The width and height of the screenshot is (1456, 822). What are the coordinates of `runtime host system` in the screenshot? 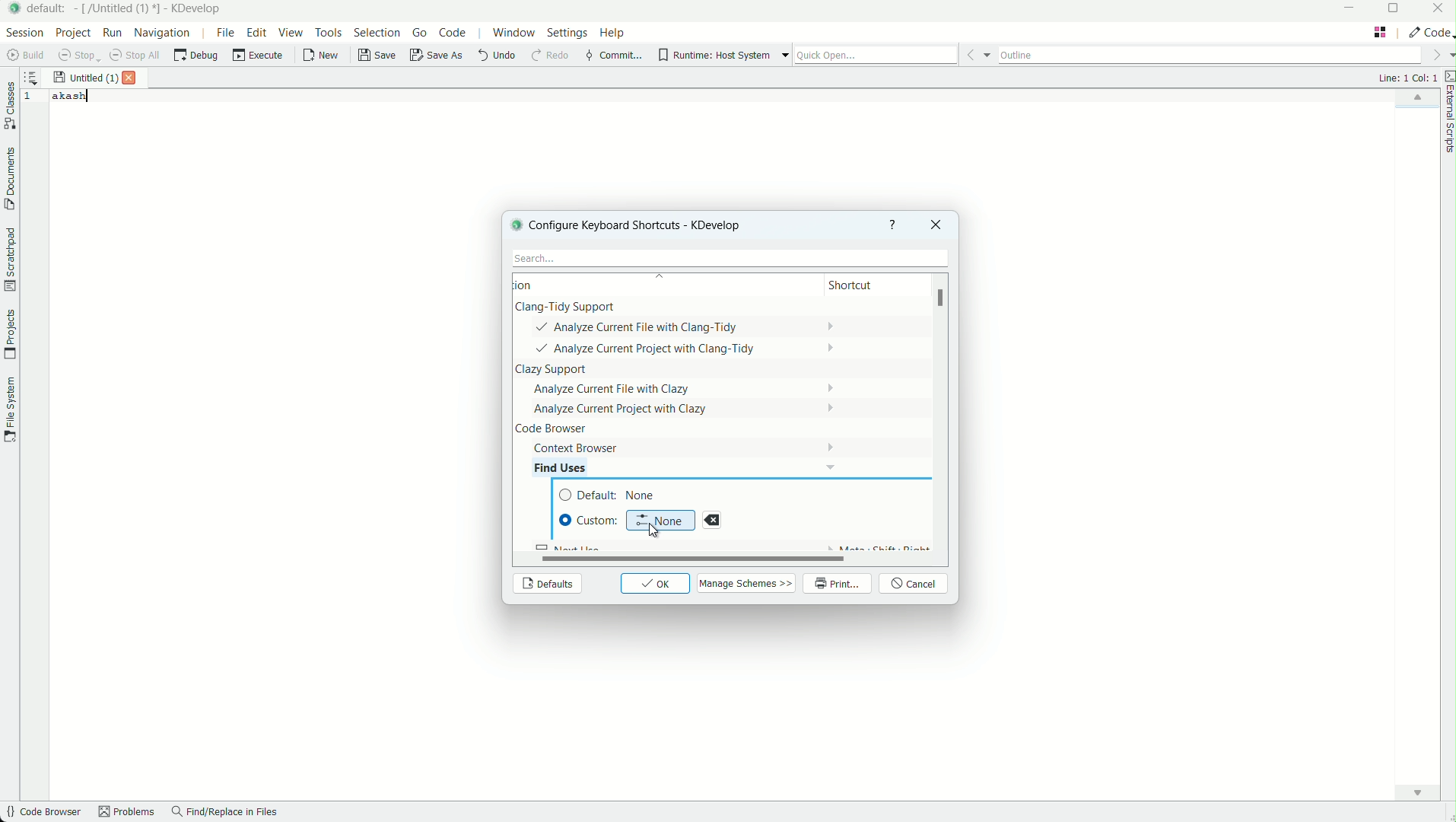 It's located at (714, 56).